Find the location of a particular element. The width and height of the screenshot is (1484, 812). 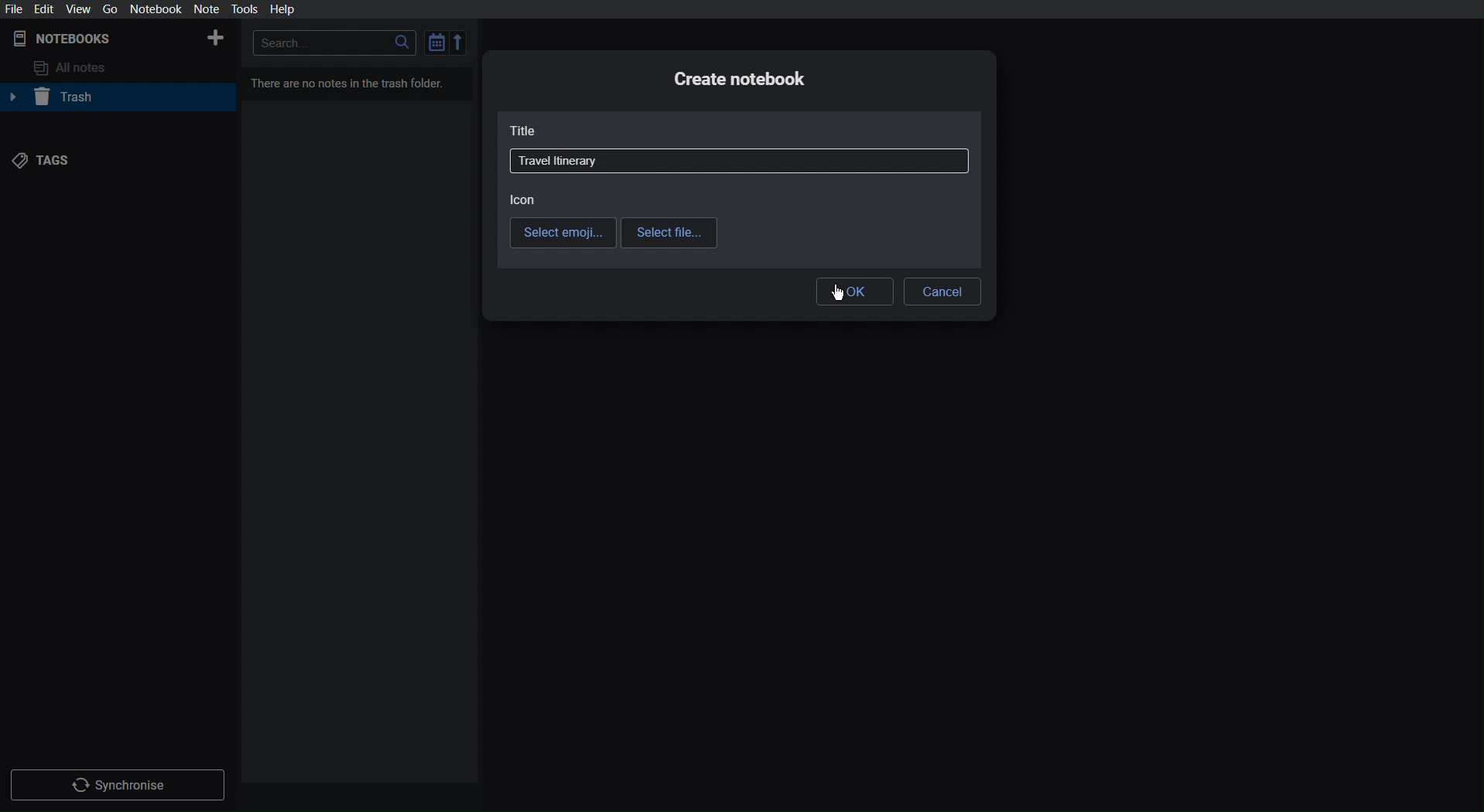

Cancel is located at coordinates (942, 292).